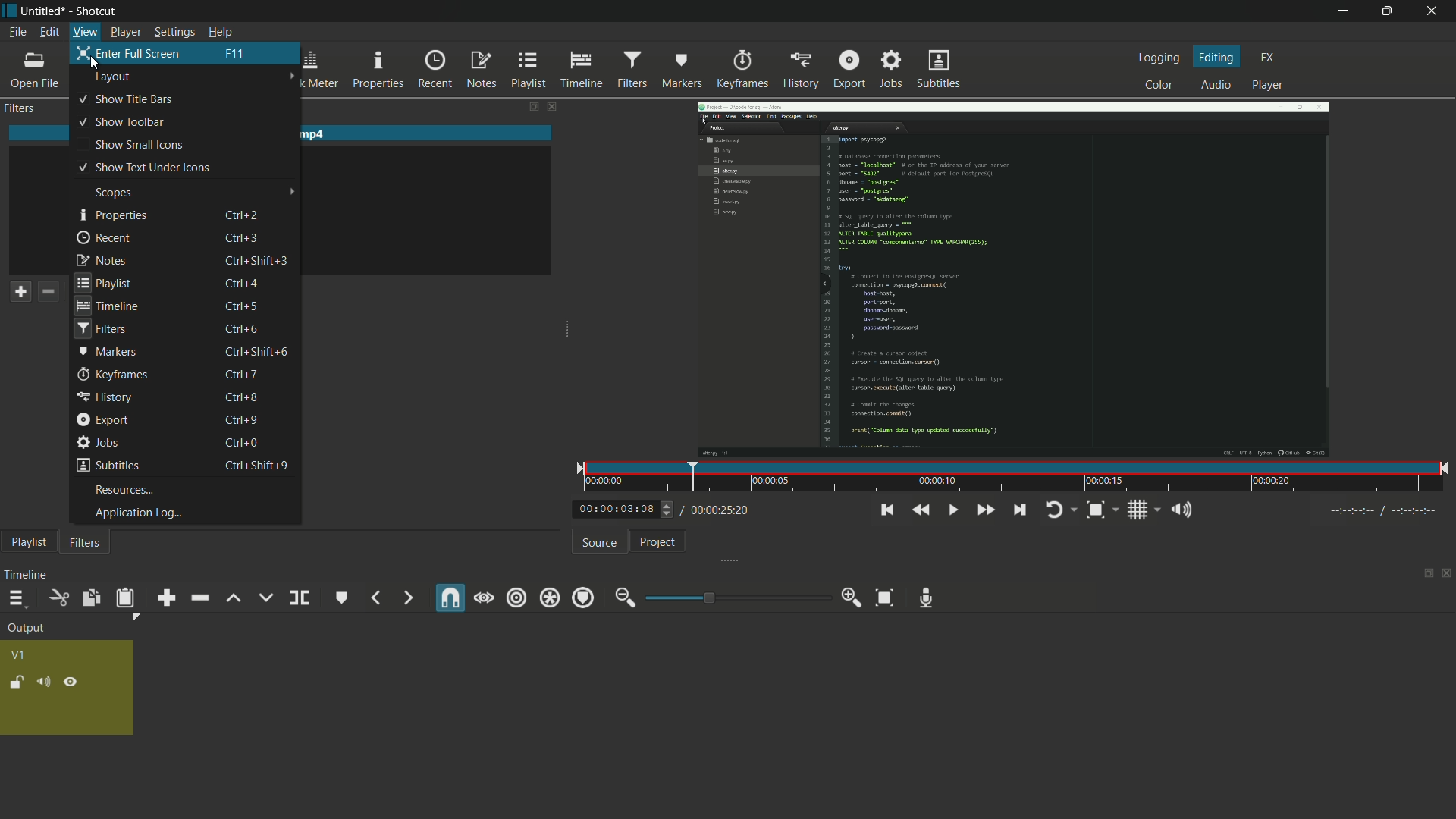 The height and width of the screenshot is (819, 1456). Describe the element at coordinates (30, 541) in the screenshot. I see `playlist` at that location.